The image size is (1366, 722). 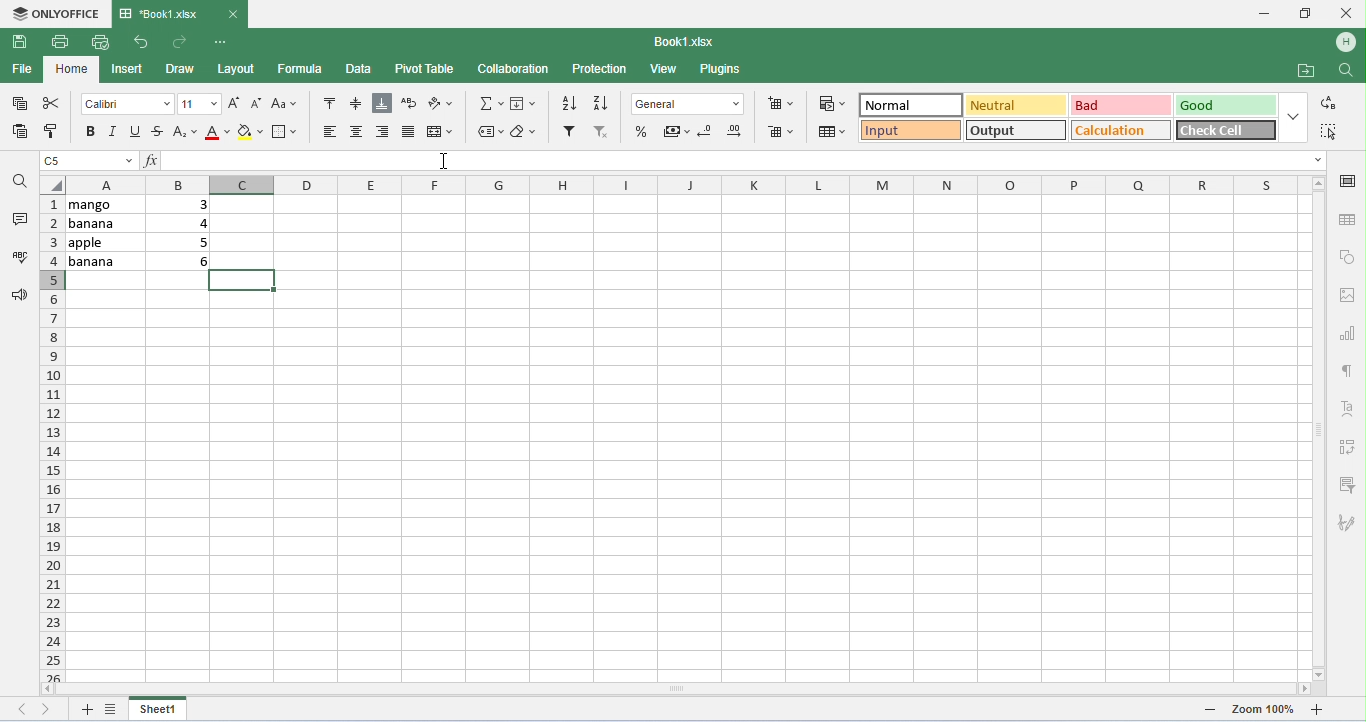 What do you see at coordinates (301, 68) in the screenshot?
I see `formula` at bounding box center [301, 68].